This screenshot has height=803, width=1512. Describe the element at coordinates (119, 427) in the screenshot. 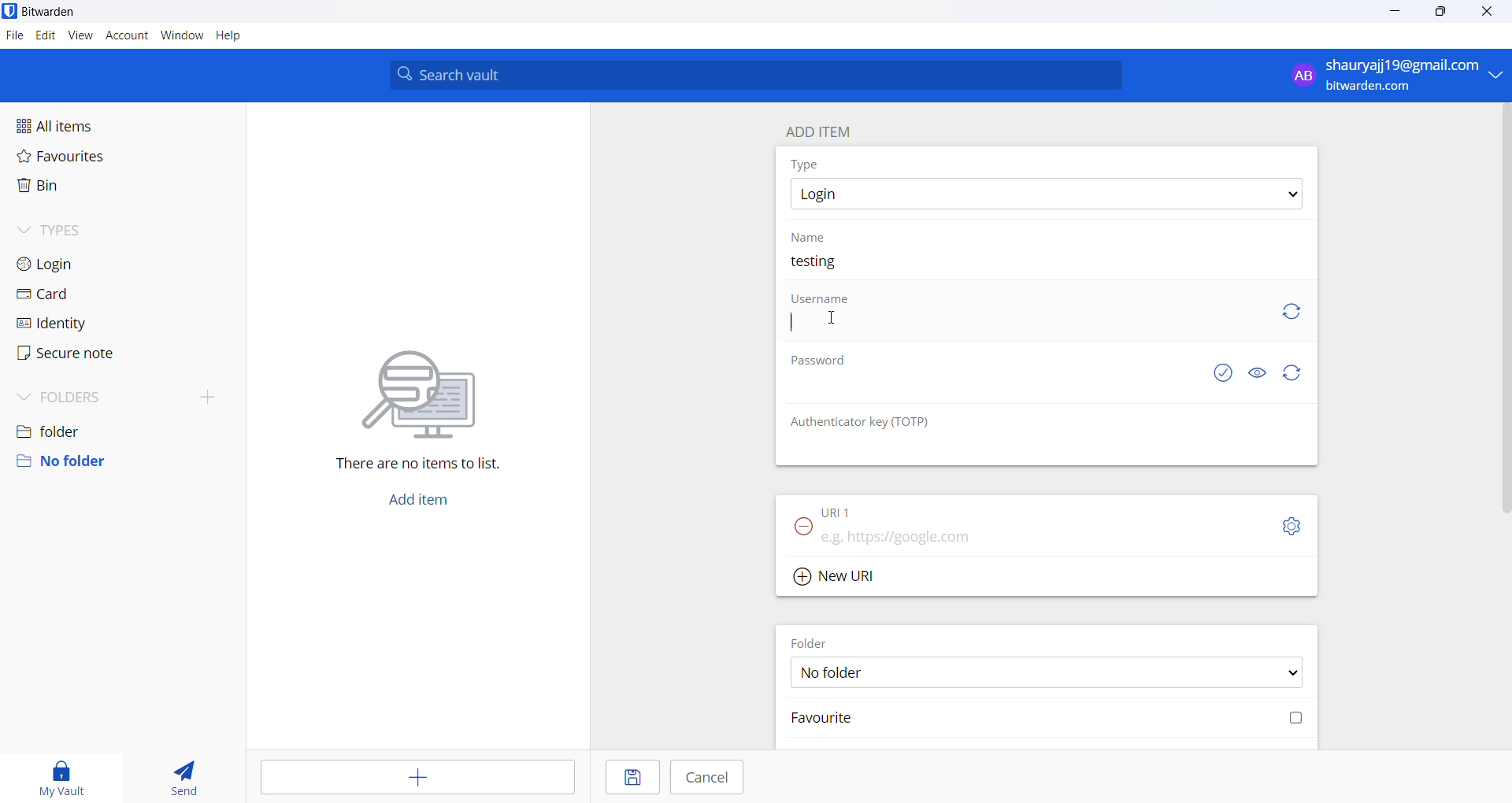

I see `folder` at that location.